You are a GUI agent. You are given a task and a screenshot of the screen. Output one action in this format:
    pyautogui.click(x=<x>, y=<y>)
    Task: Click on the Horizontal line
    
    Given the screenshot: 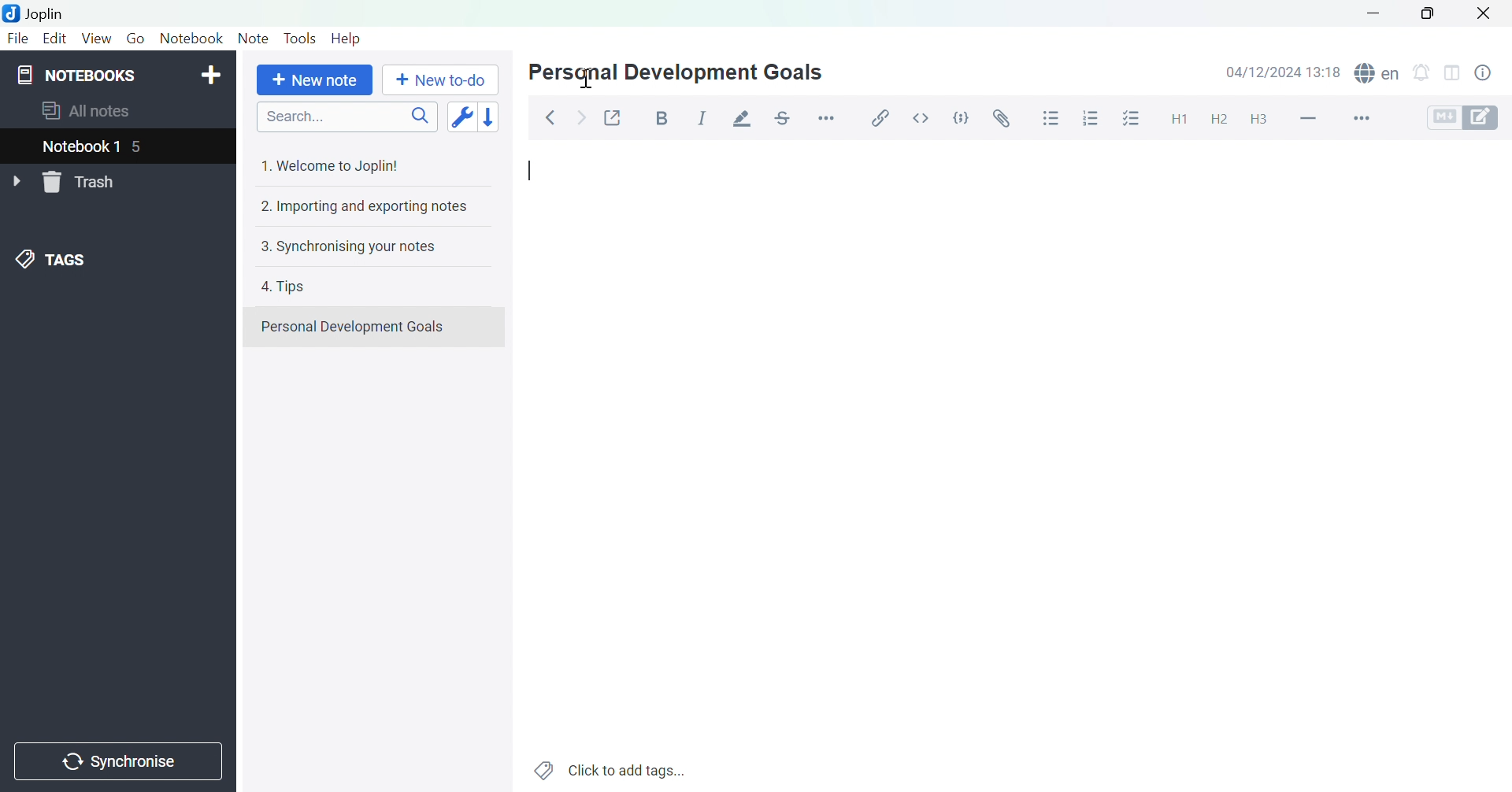 What is the action you would take?
    pyautogui.click(x=1308, y=118)
    